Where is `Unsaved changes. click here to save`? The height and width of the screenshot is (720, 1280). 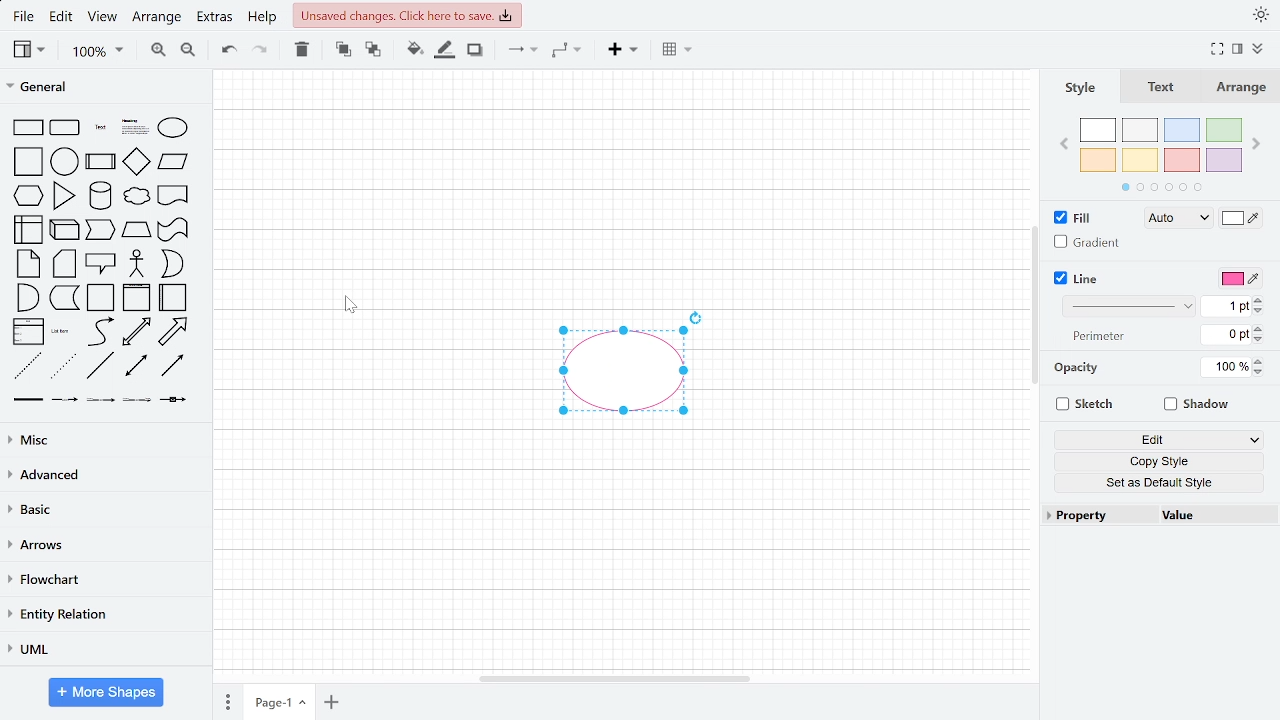 Unsaved changes. click here to save is located at coordinates (406, 15).